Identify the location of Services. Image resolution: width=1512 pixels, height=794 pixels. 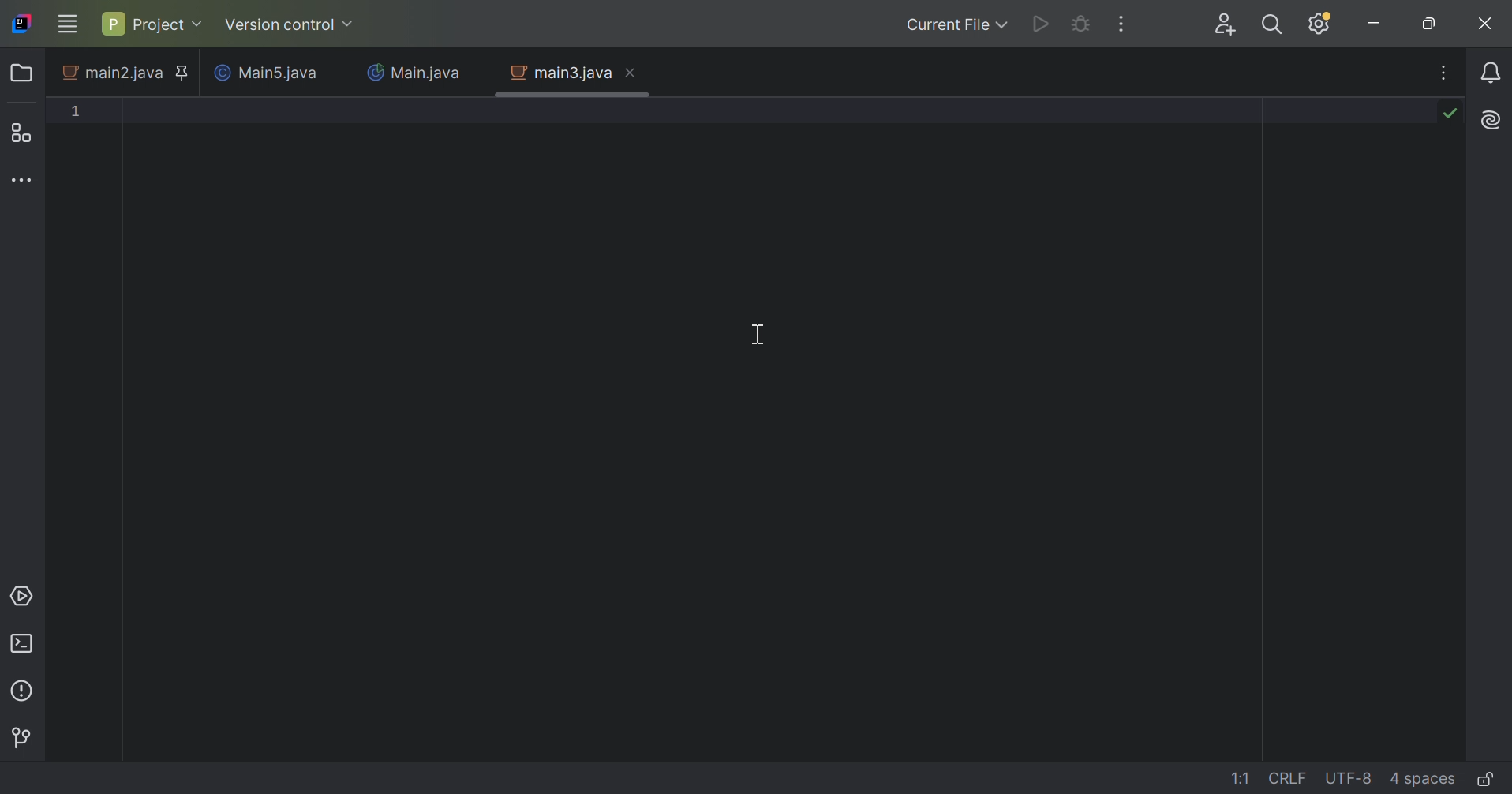
(23, 597).